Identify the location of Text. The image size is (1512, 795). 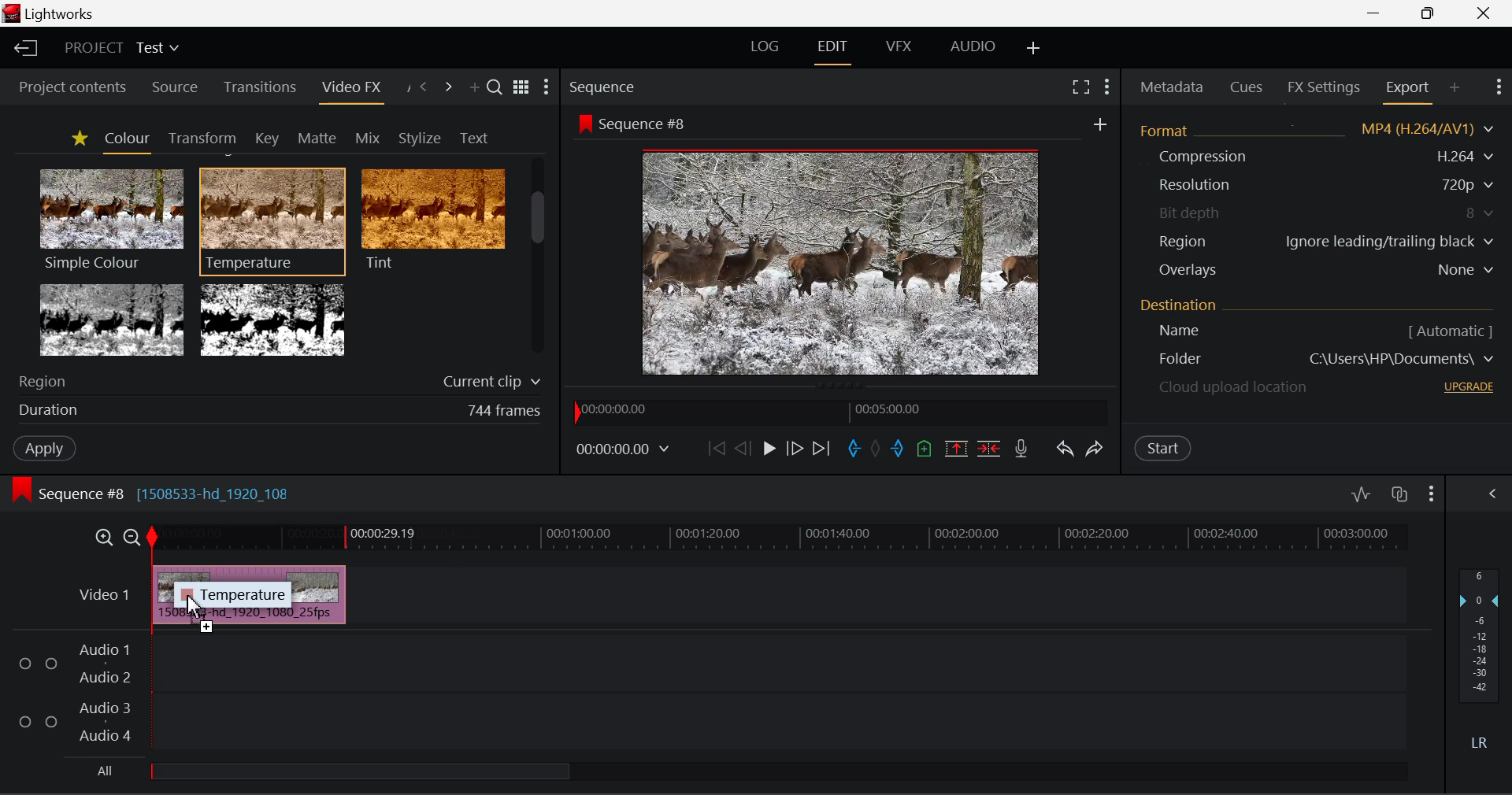
(471, 137).